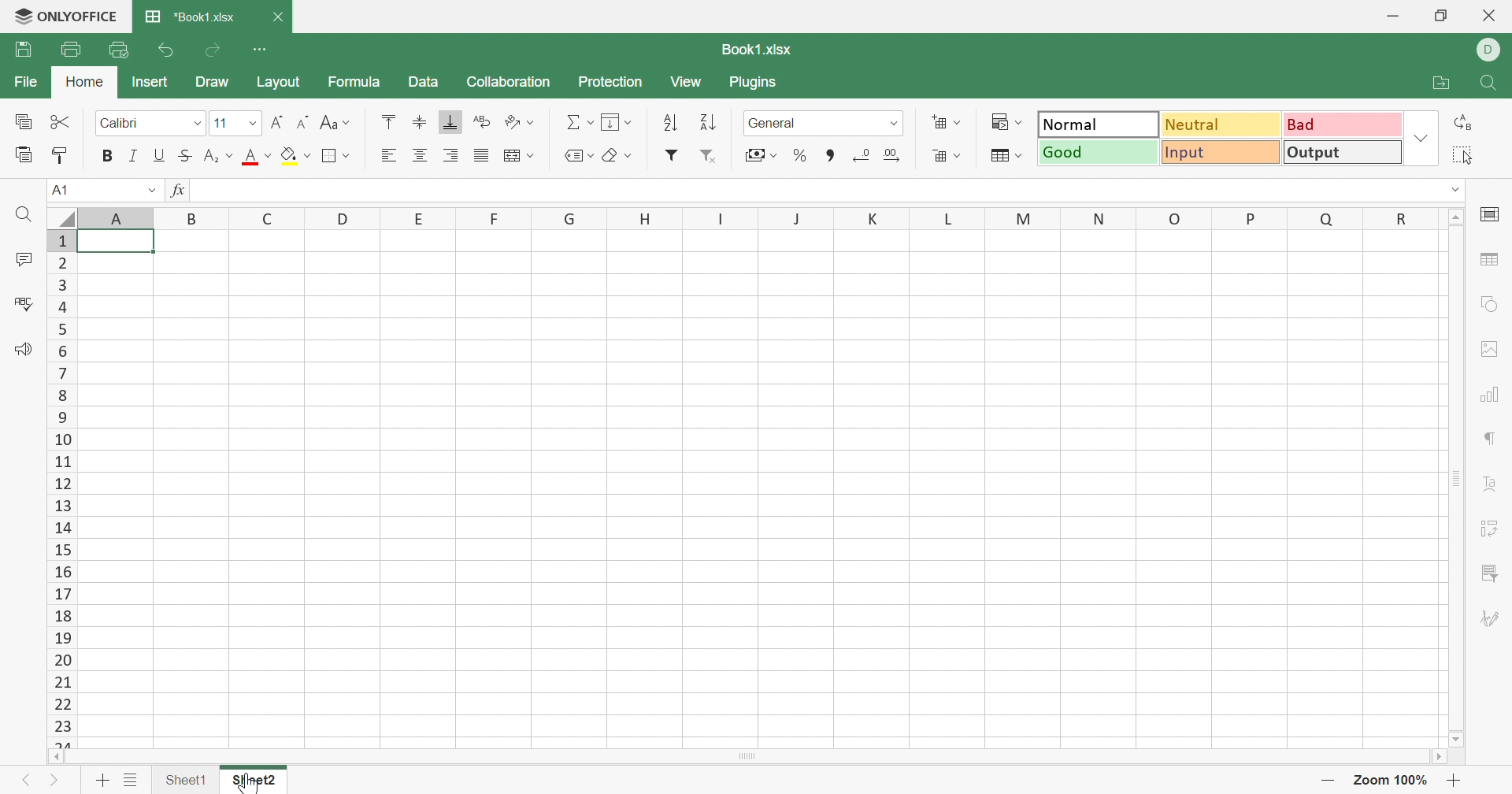  What do you see at coordinates (215, 51) in the screenshot?
I see `Redo` at bounding box center [215, 51].